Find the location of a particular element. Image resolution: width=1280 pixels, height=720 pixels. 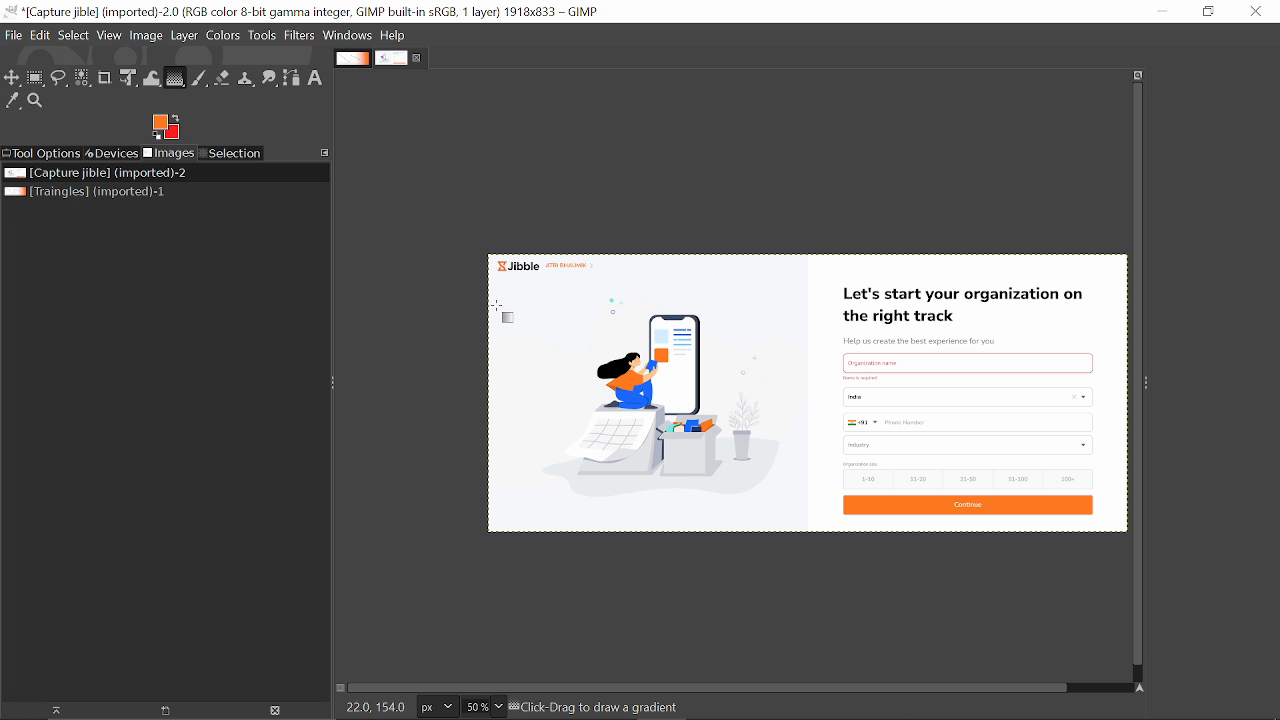

Layer is located at coordinates (185, 36).